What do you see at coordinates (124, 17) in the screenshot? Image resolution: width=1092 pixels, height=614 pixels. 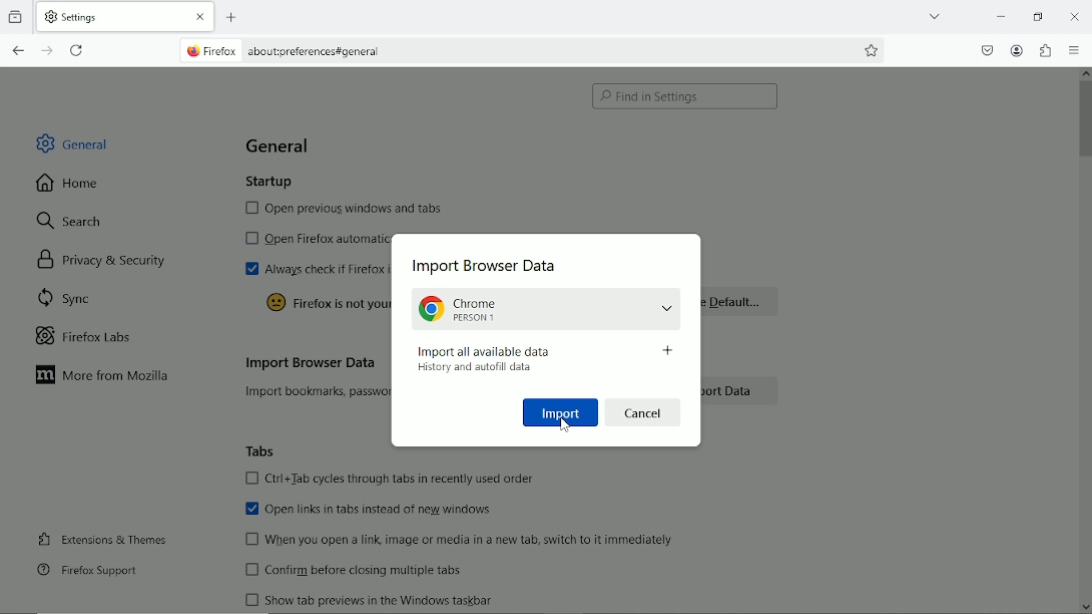 I see `Current tab` at bounding box center [124, 17].